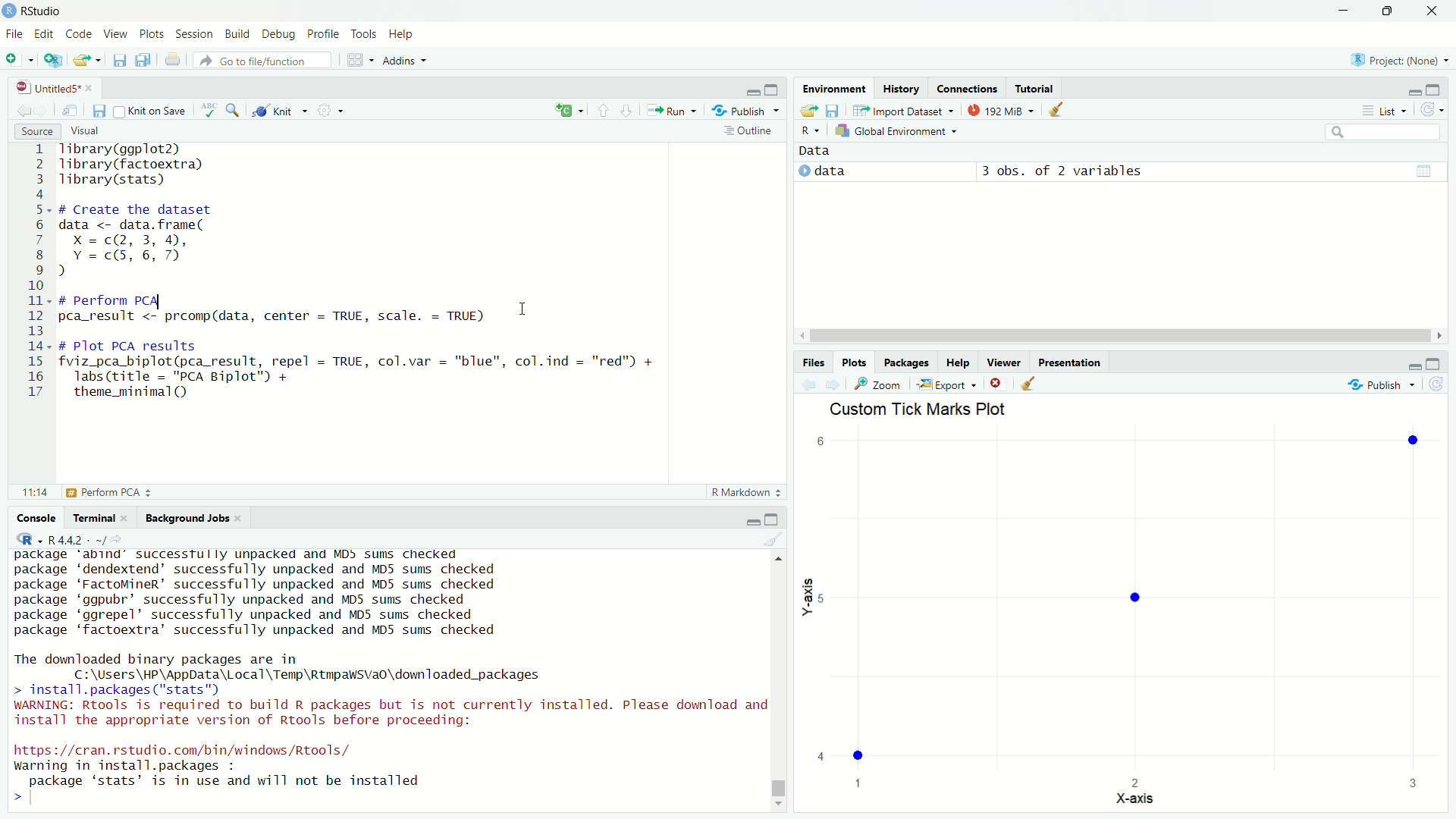 This screenshot has width=1456, height=819. I want to click on Edit, so click(45, 35).